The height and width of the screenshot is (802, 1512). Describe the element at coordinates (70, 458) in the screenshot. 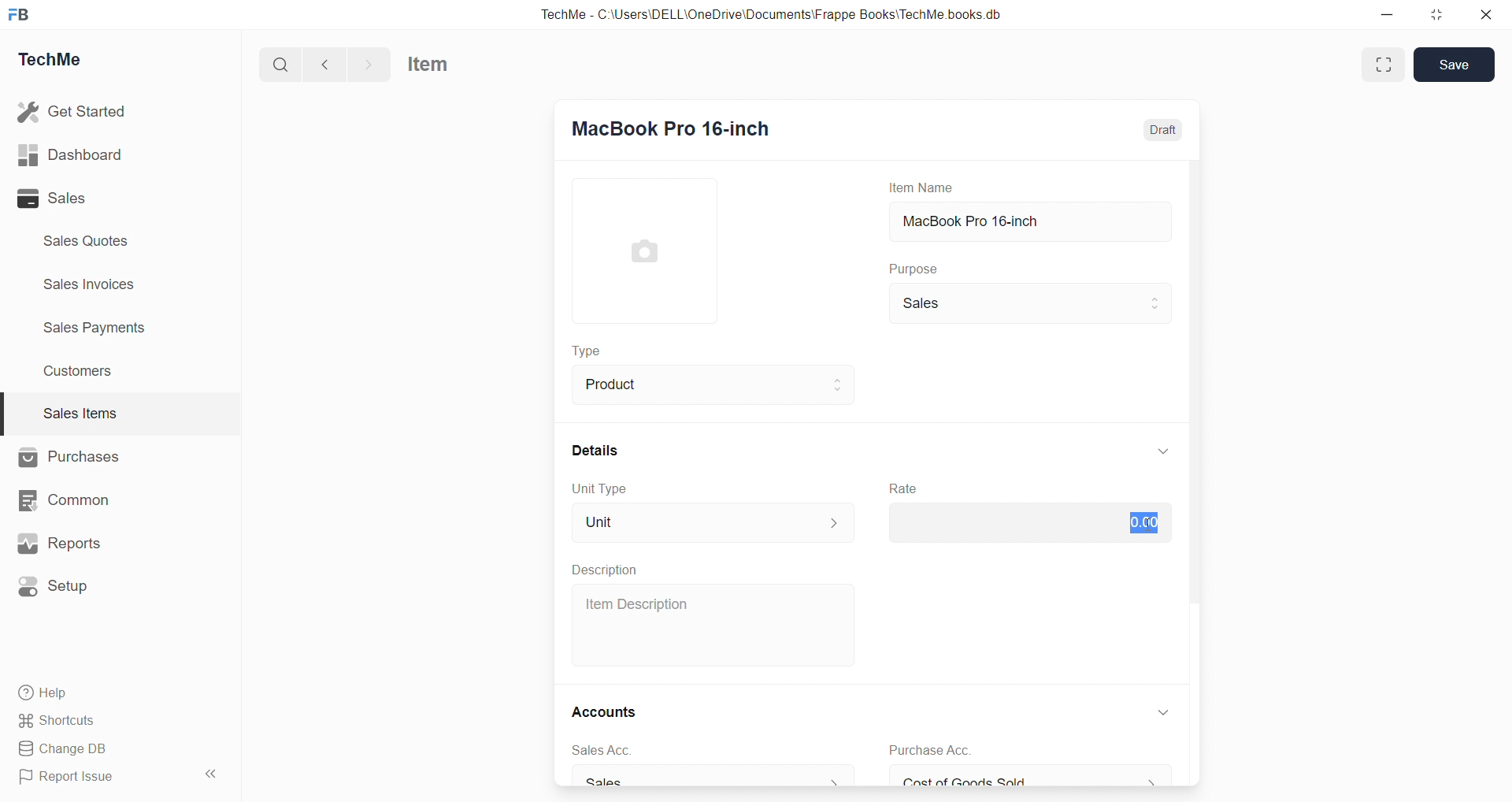

I see `Purchases` at that location.